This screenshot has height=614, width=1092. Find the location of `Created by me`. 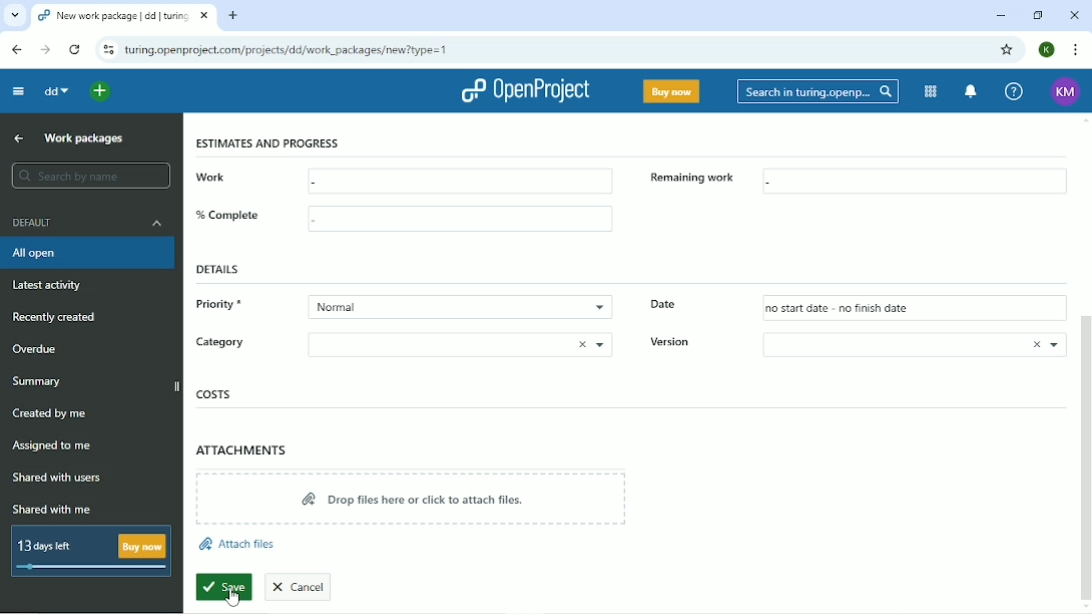

Created by me is located at coordinates (49, 414).